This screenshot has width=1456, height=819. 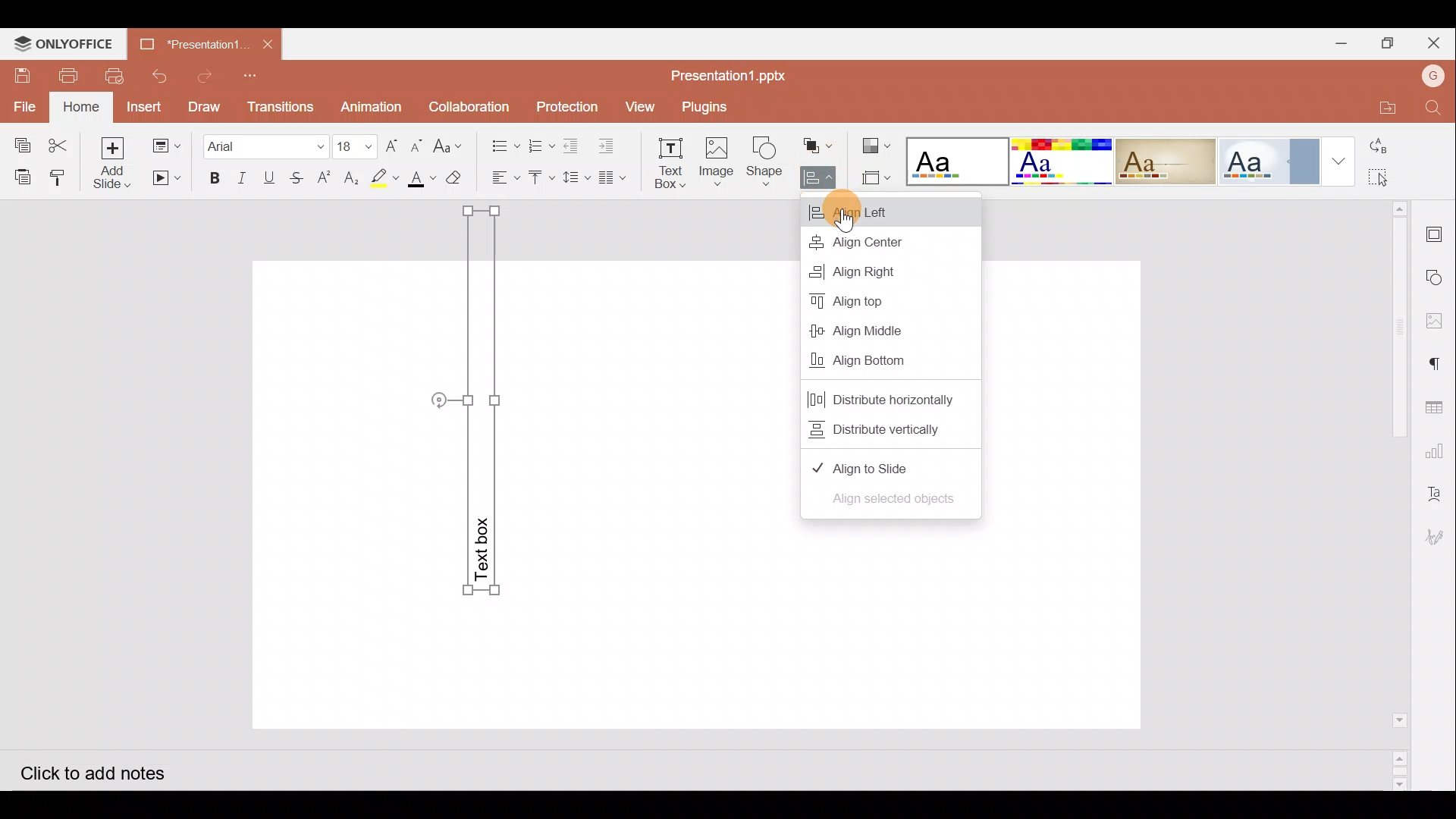 What do you see at coordinates (1379, 106) in the screenshot?
I see `Open file location` at bounding box center [1379, 106].